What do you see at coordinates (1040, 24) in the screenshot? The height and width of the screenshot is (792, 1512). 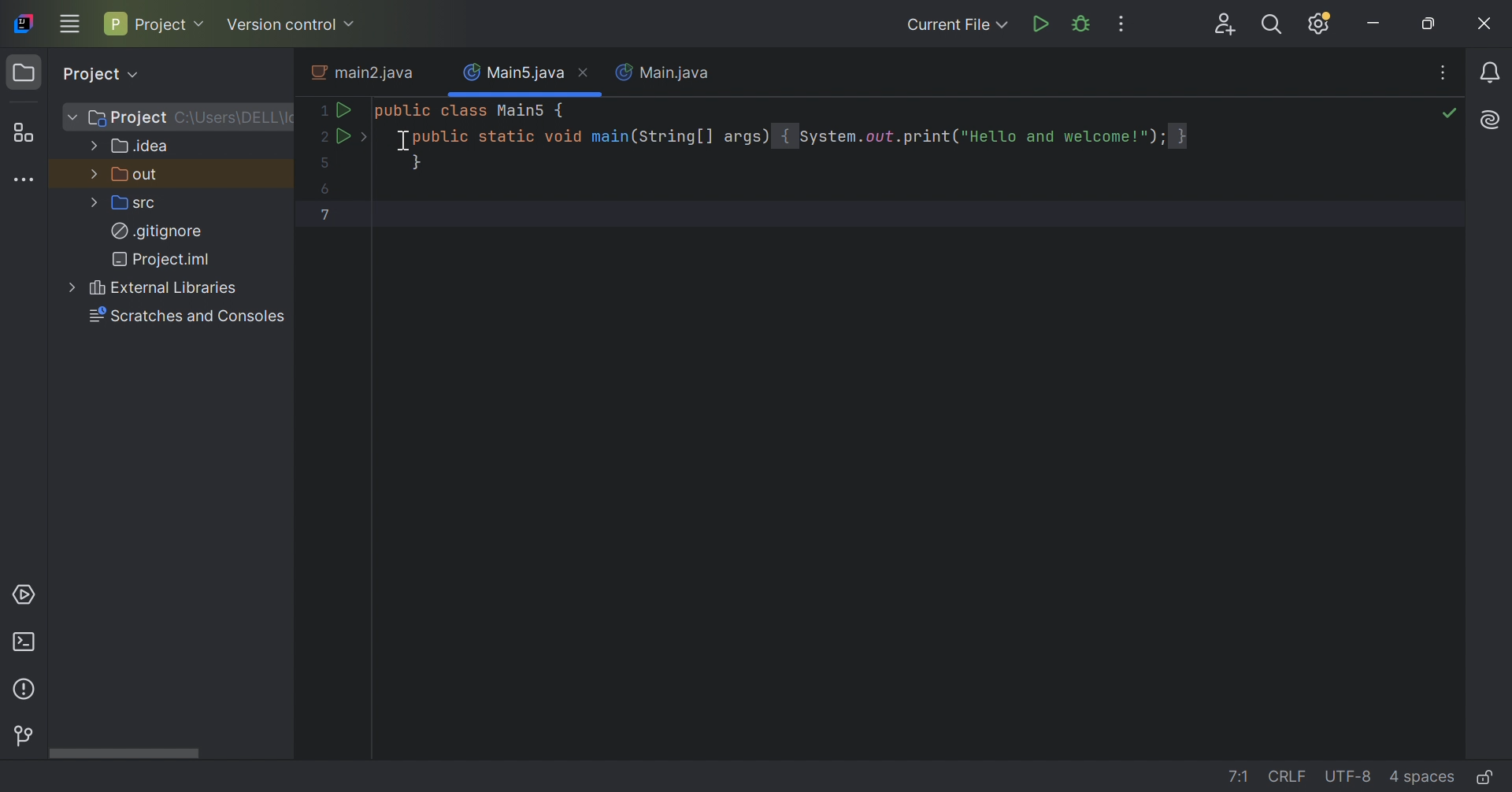 I see `Run` at bounding box center [1040, 24].